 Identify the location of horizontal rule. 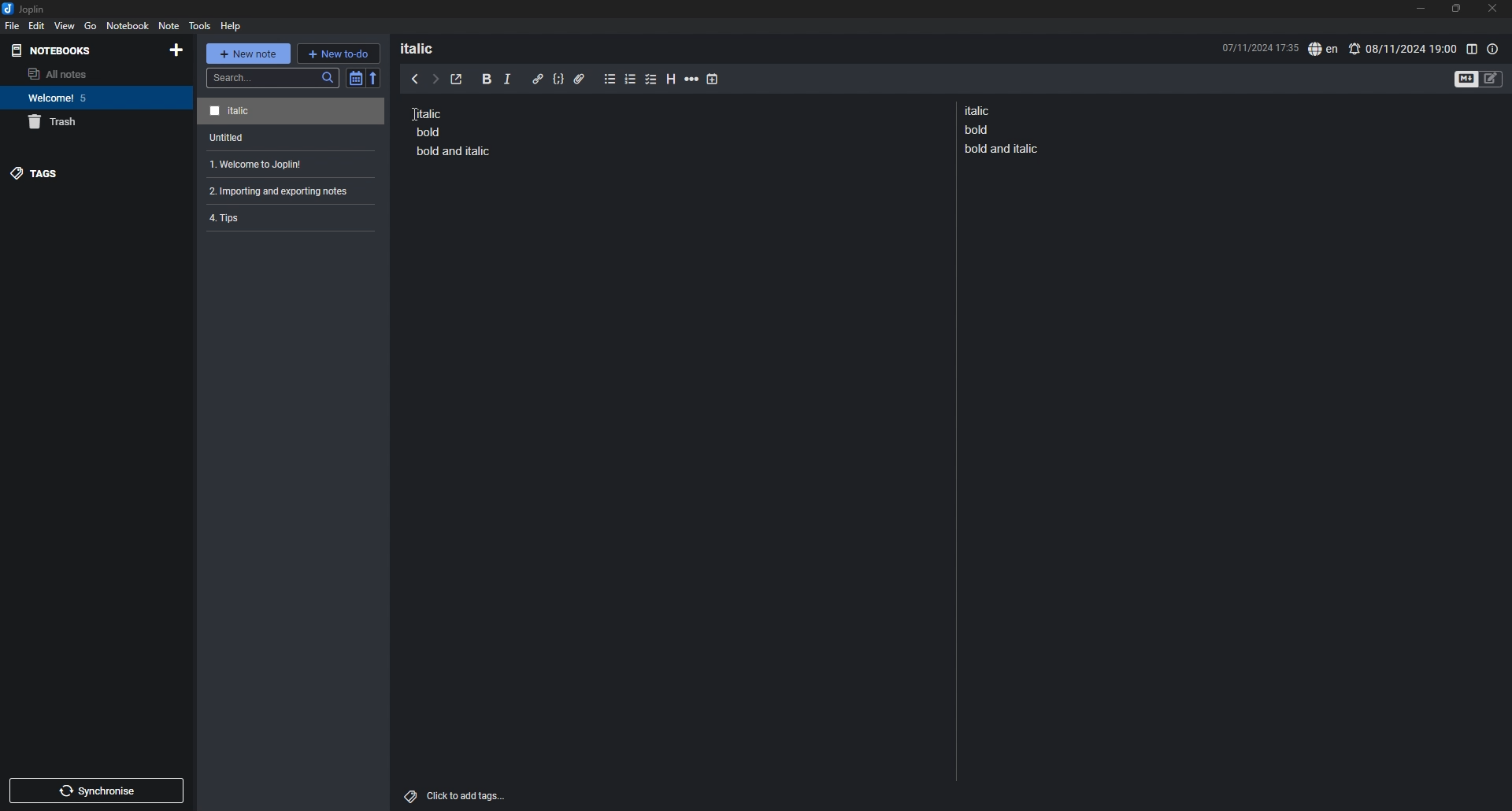
(691, 81).